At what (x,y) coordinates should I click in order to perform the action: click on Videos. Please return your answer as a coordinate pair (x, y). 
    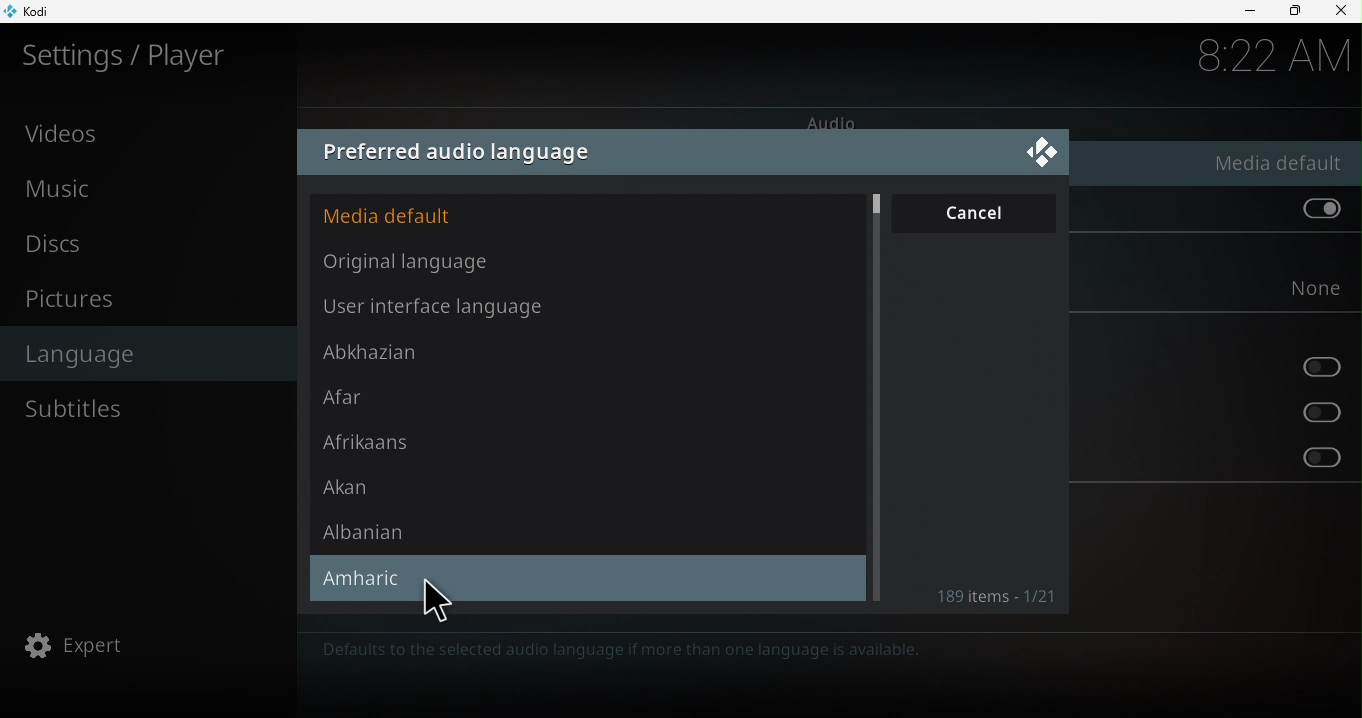
    Looking at the image, I should click on (148, 132).